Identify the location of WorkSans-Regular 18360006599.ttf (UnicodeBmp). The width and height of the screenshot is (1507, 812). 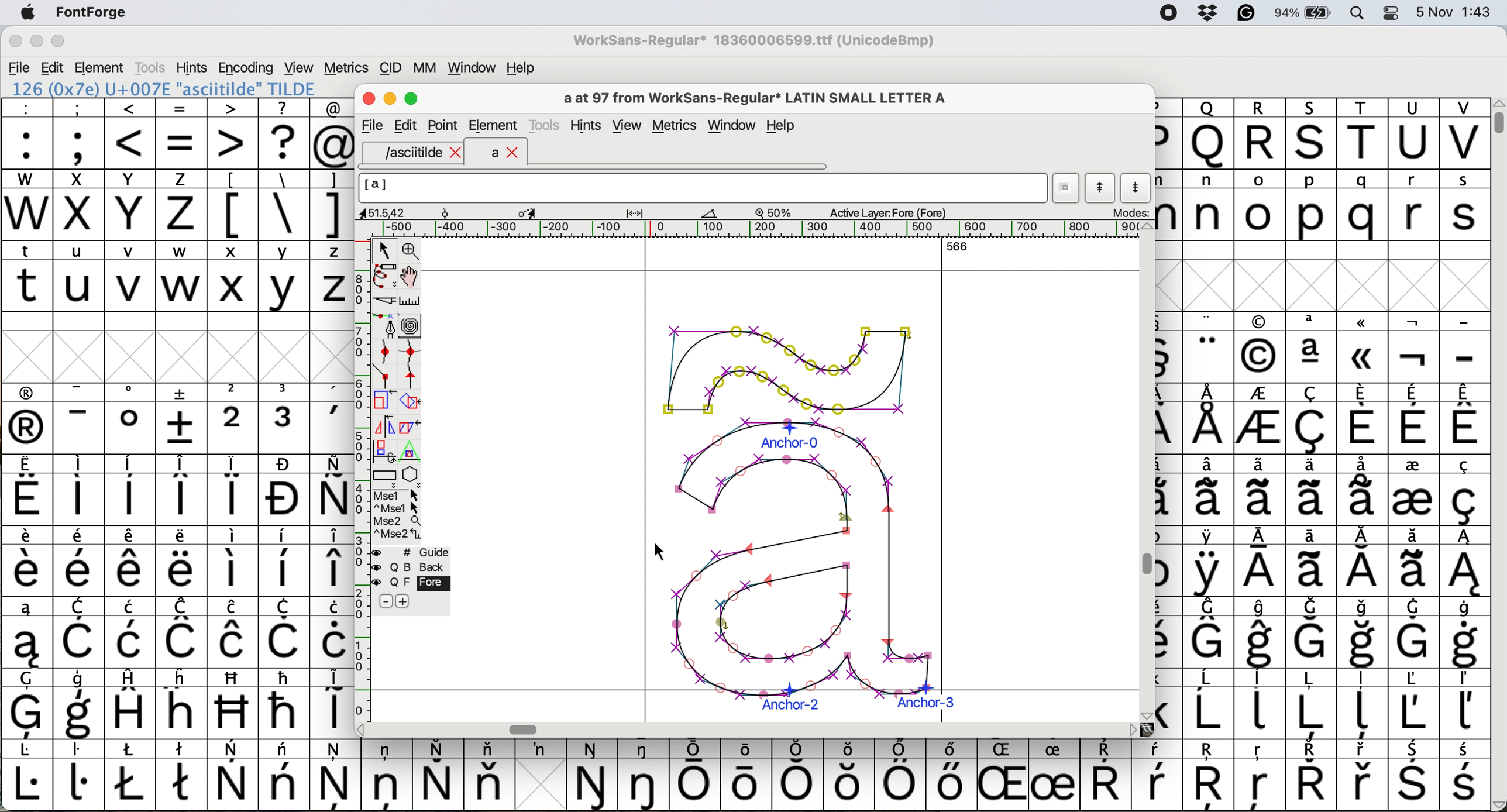
(754, 43).